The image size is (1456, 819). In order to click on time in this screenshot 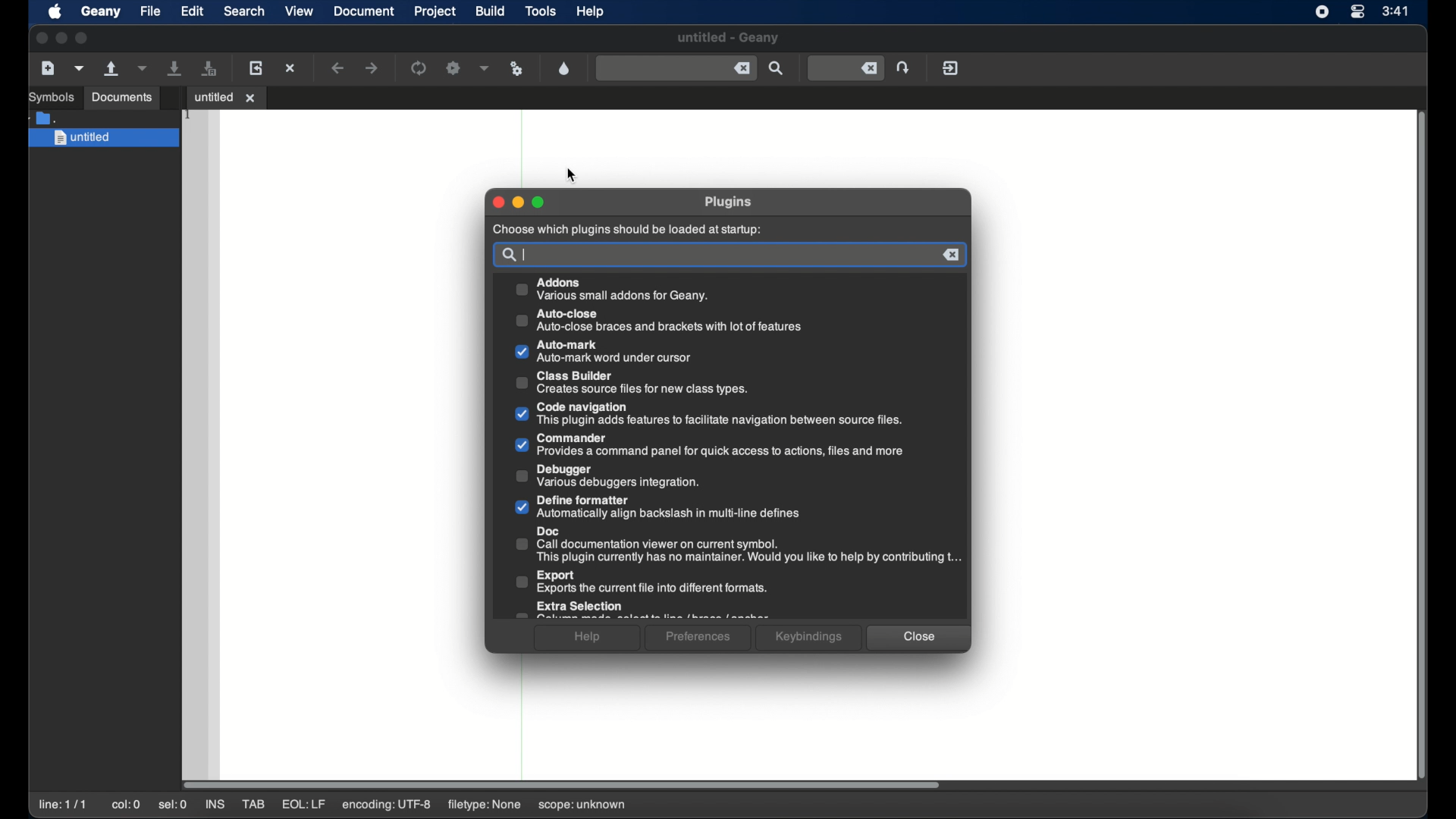, I will do `click(1395, 10)`.